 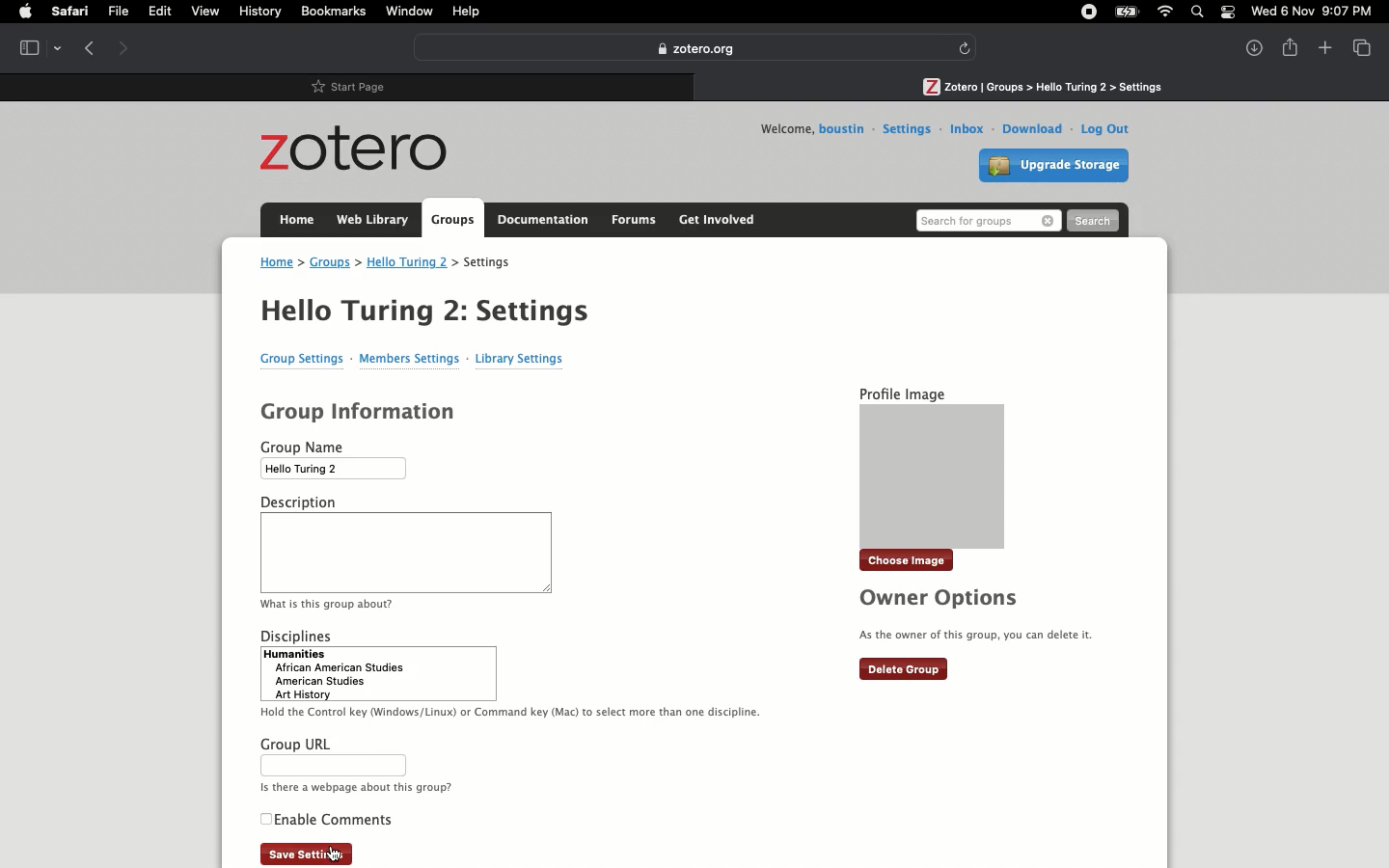 What do you see at coordinates (450, 220) in the screenshot?
I see `Groups` at bounding box center [450, 220].